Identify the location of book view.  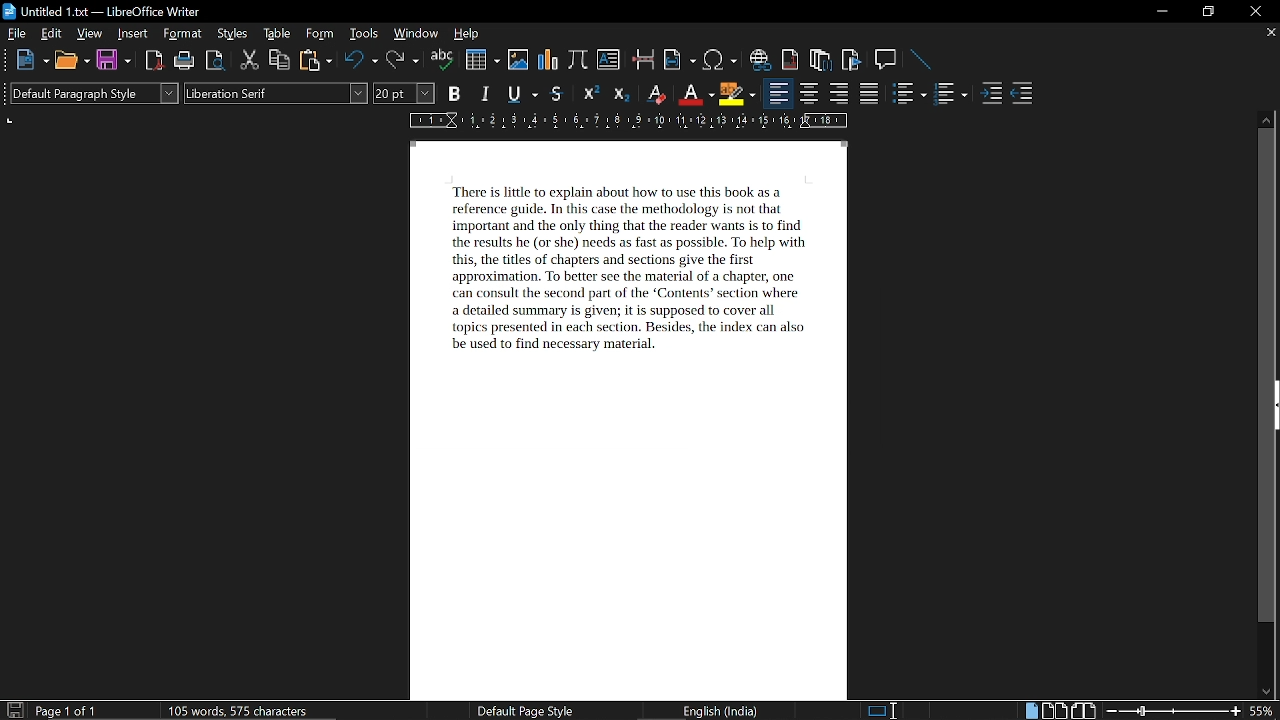
(1083, 711).